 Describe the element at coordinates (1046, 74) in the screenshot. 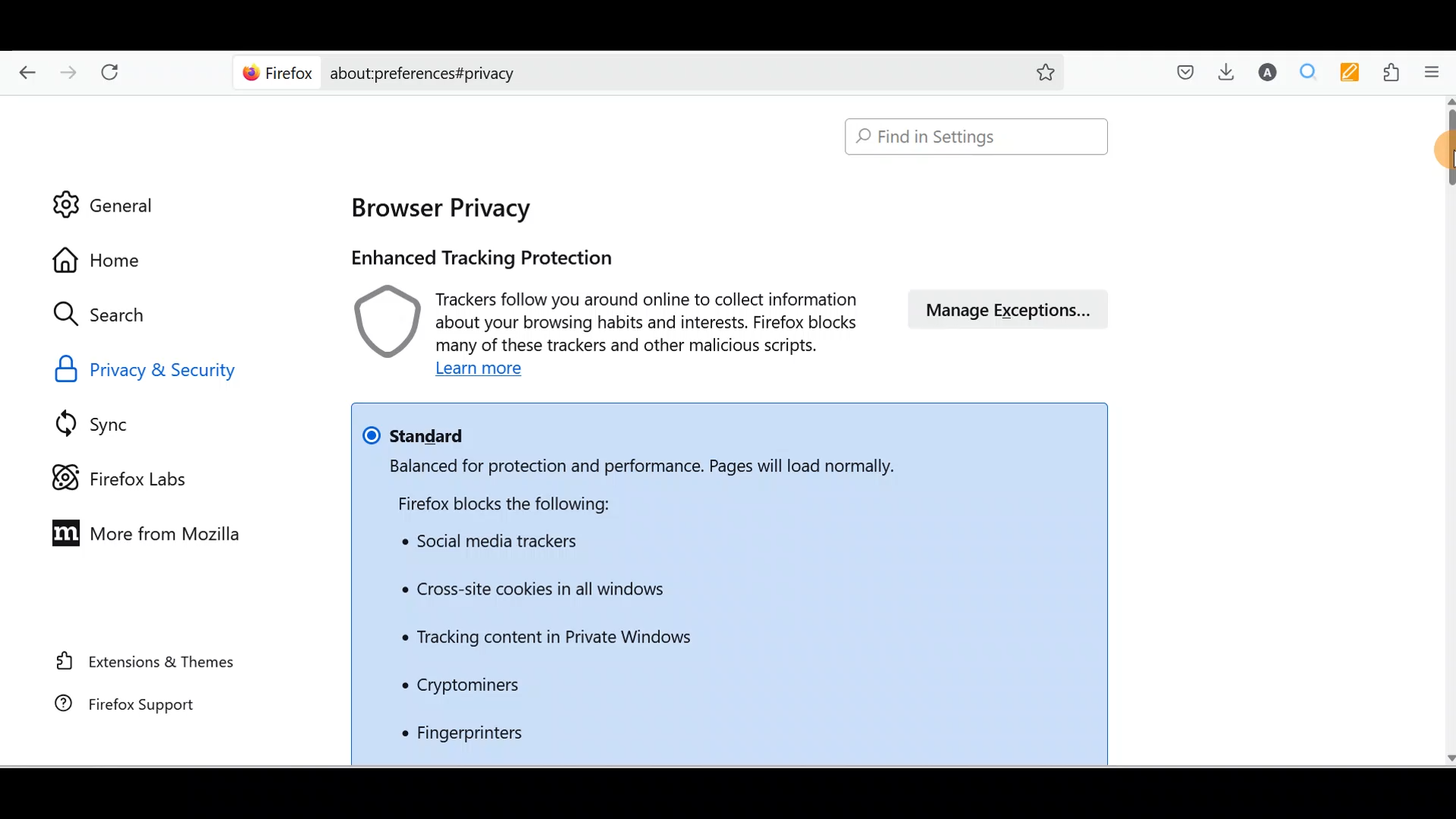

I see `add to favorites` at that location.